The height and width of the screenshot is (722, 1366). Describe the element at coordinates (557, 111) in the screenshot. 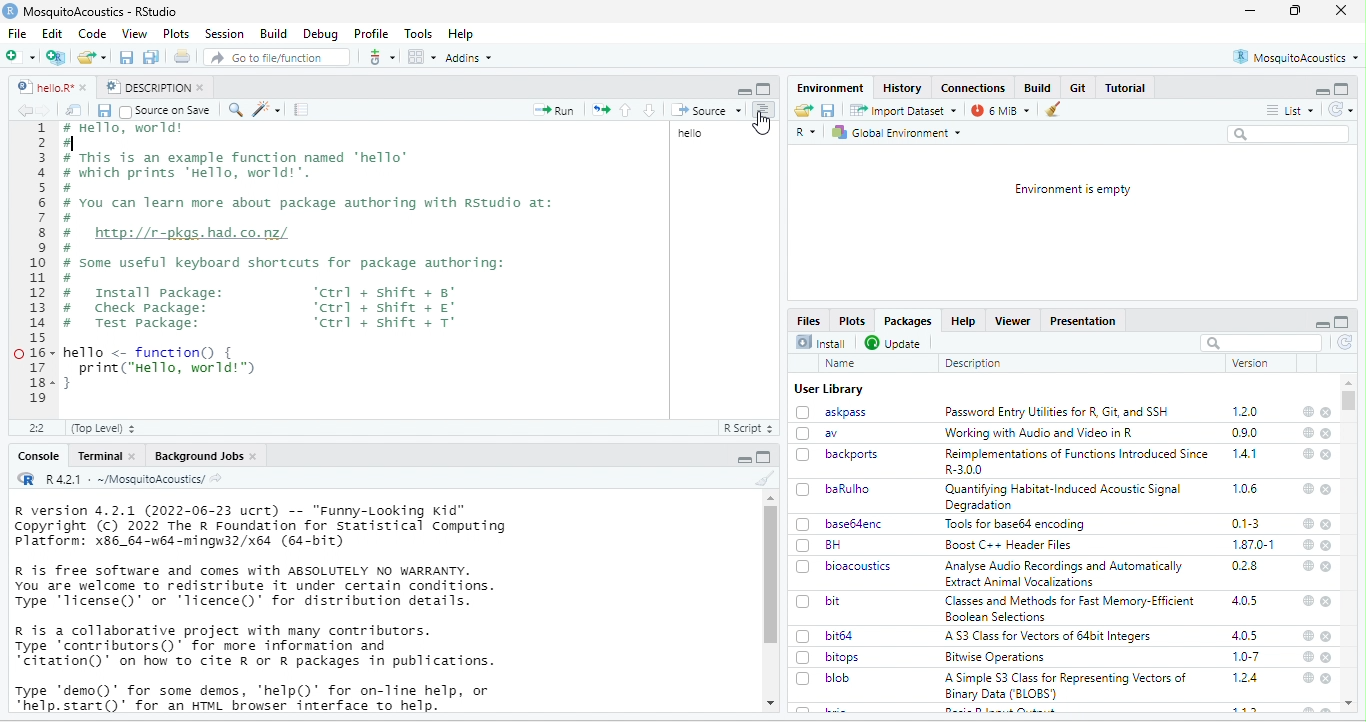

I see `run the current line or selection` at that location.